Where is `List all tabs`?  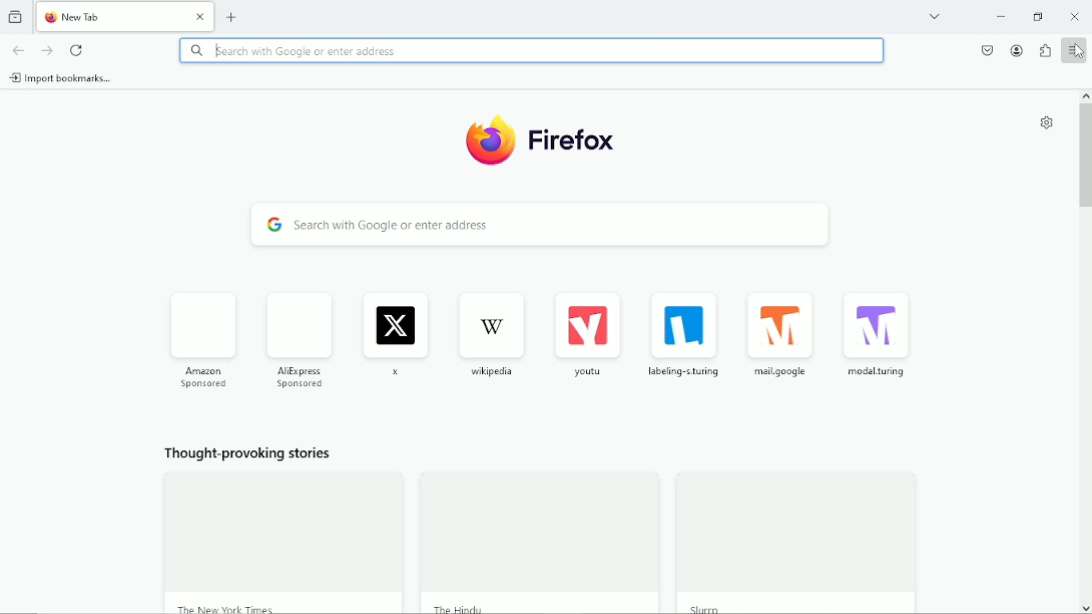
List all tabs is located at coordinates (936, 16).